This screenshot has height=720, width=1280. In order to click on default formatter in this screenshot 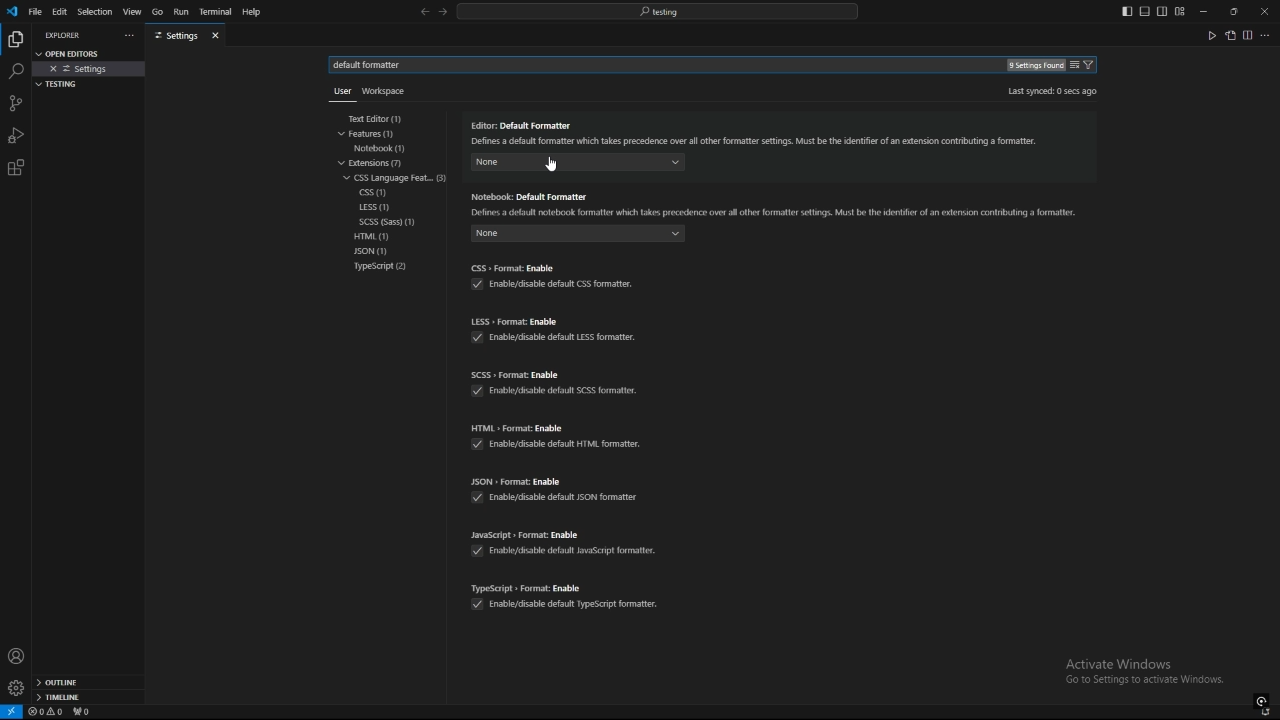, I will do `click(374, 65)`.